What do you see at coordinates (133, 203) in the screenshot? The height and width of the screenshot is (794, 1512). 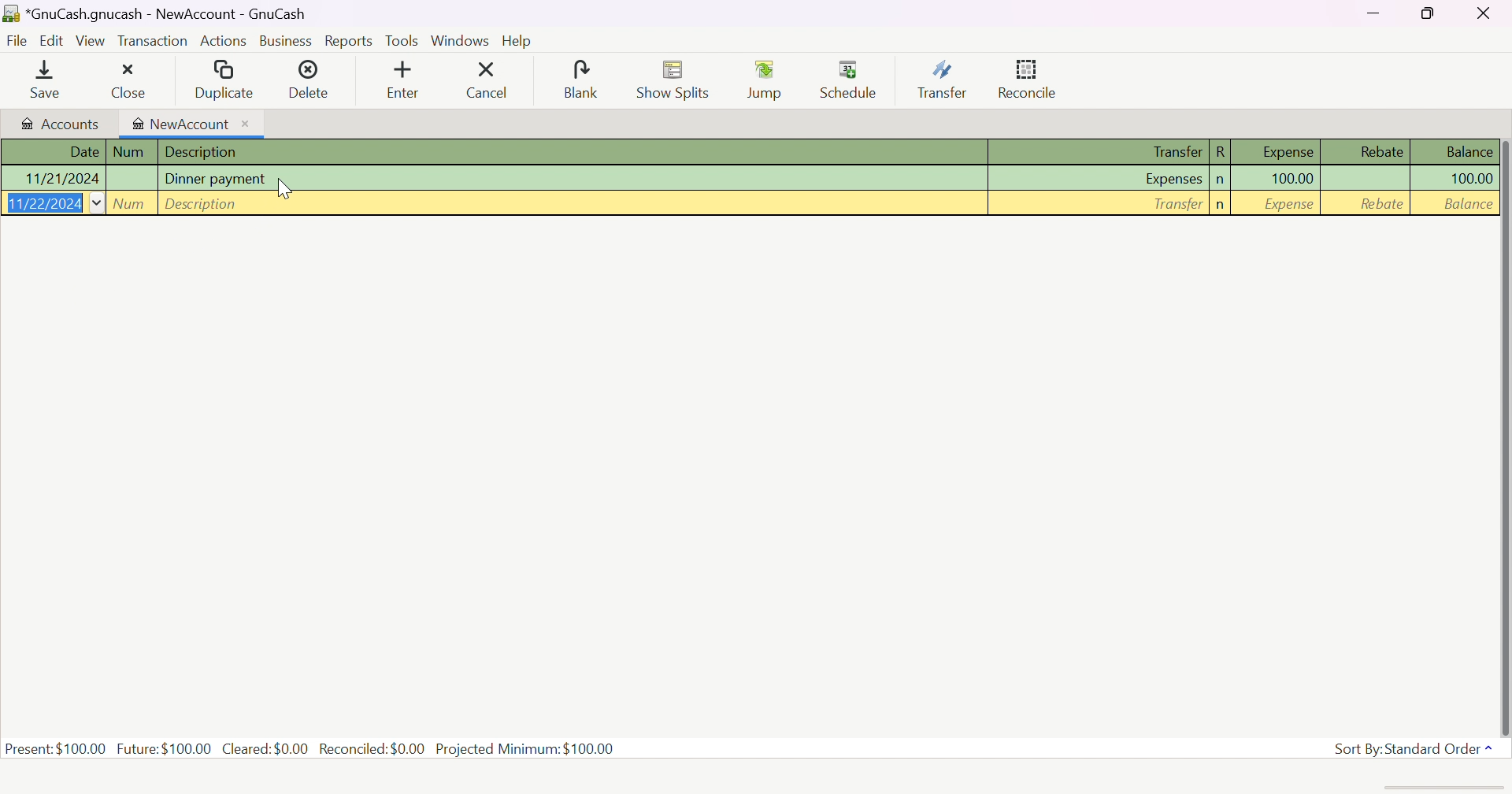 I see `Num` at bounding box center [133, 203].